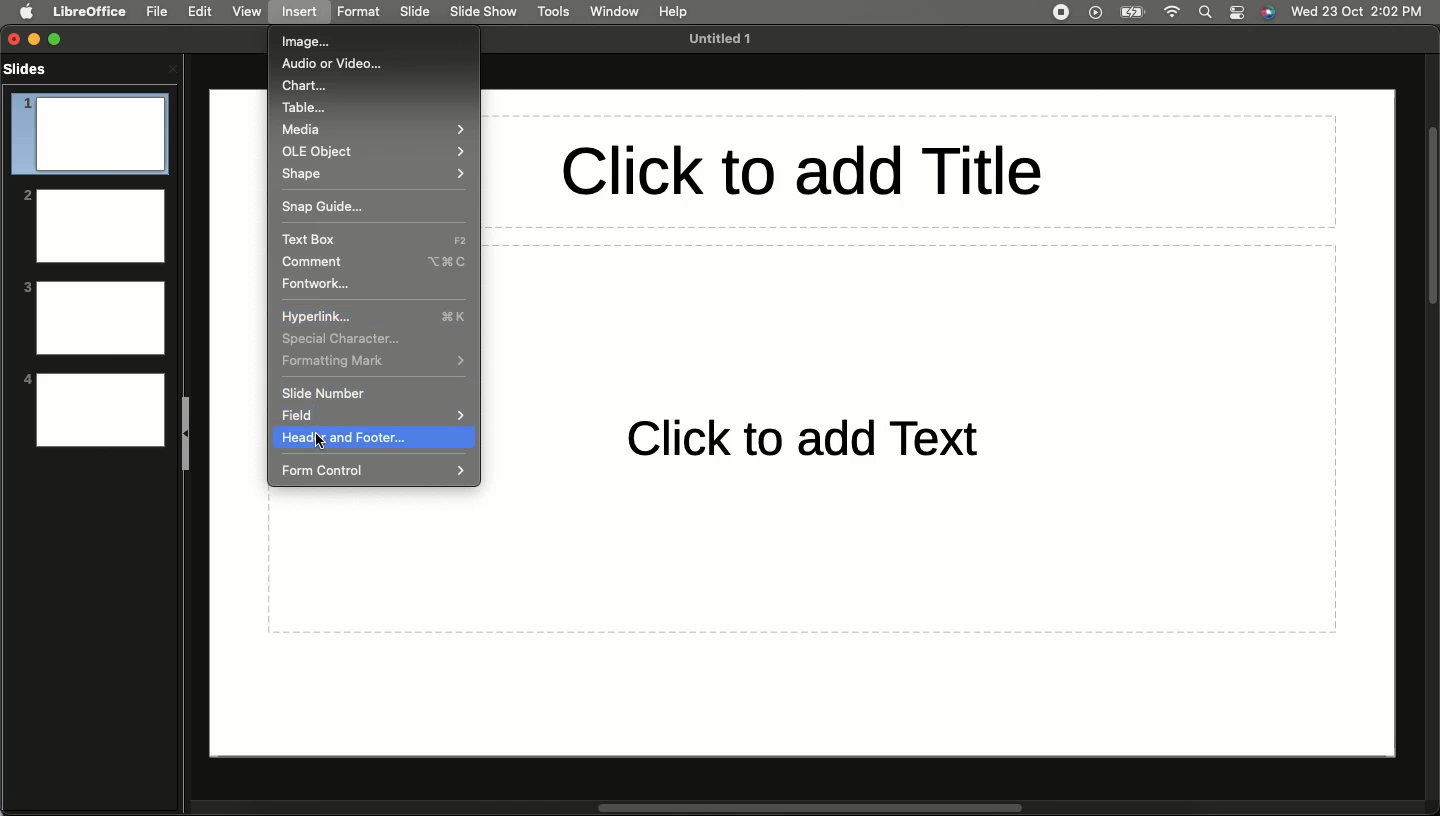 The height and width of the screenshot is (816, 1440). What do you see at coordinates (246, 11) in the screenshot?
I see `View` at bounding box center [246, 11].